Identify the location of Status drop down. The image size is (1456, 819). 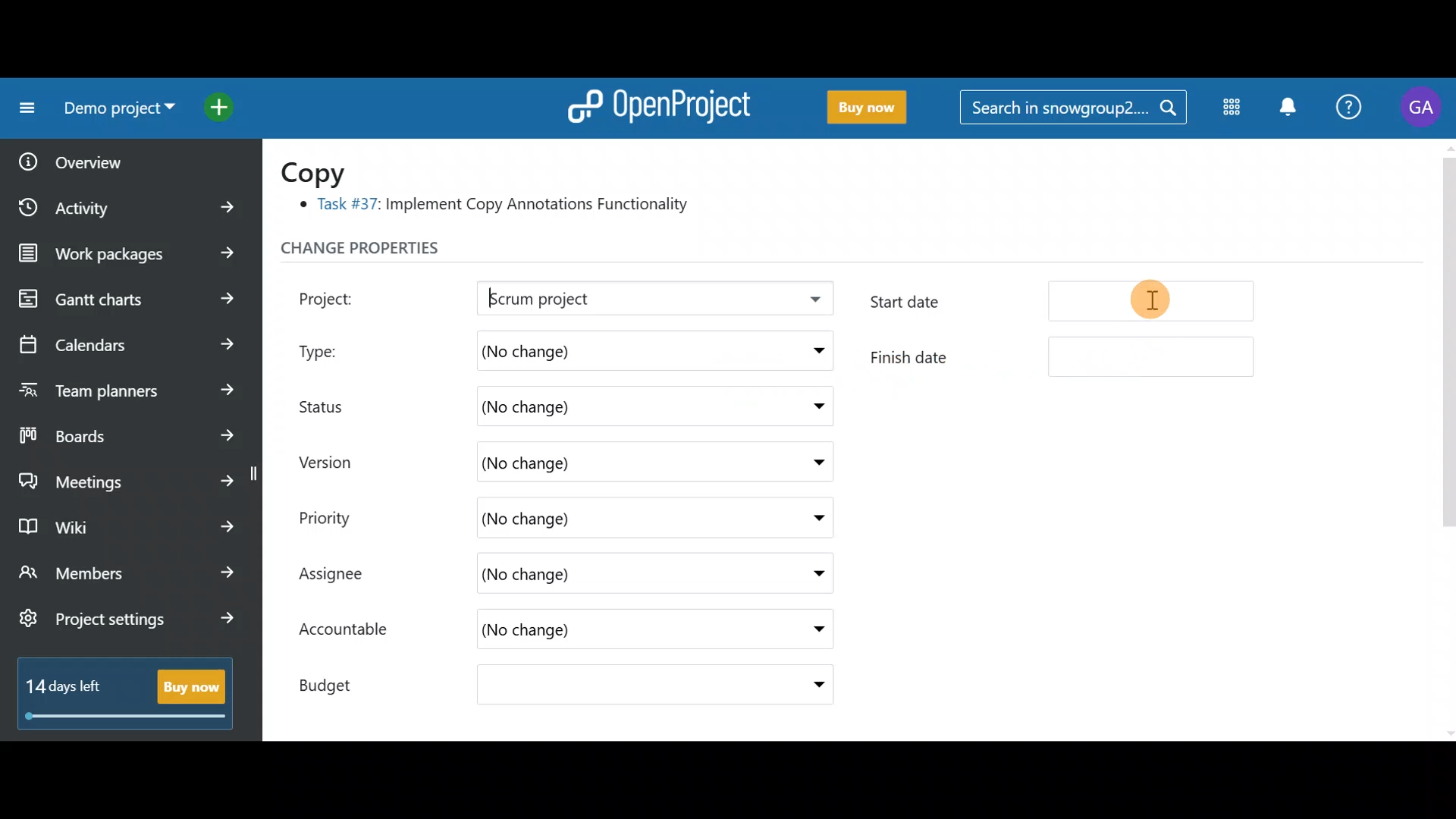
(814, 406).